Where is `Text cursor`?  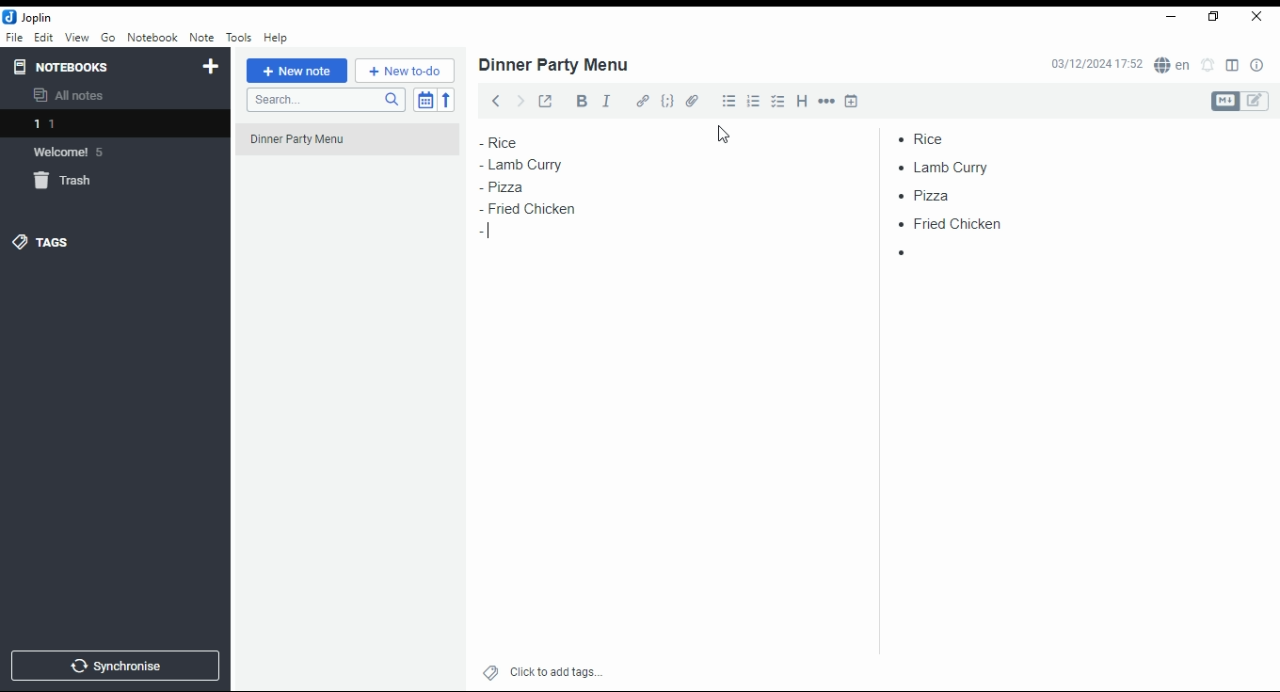
Text cursor is located at coordinates (489, 232).